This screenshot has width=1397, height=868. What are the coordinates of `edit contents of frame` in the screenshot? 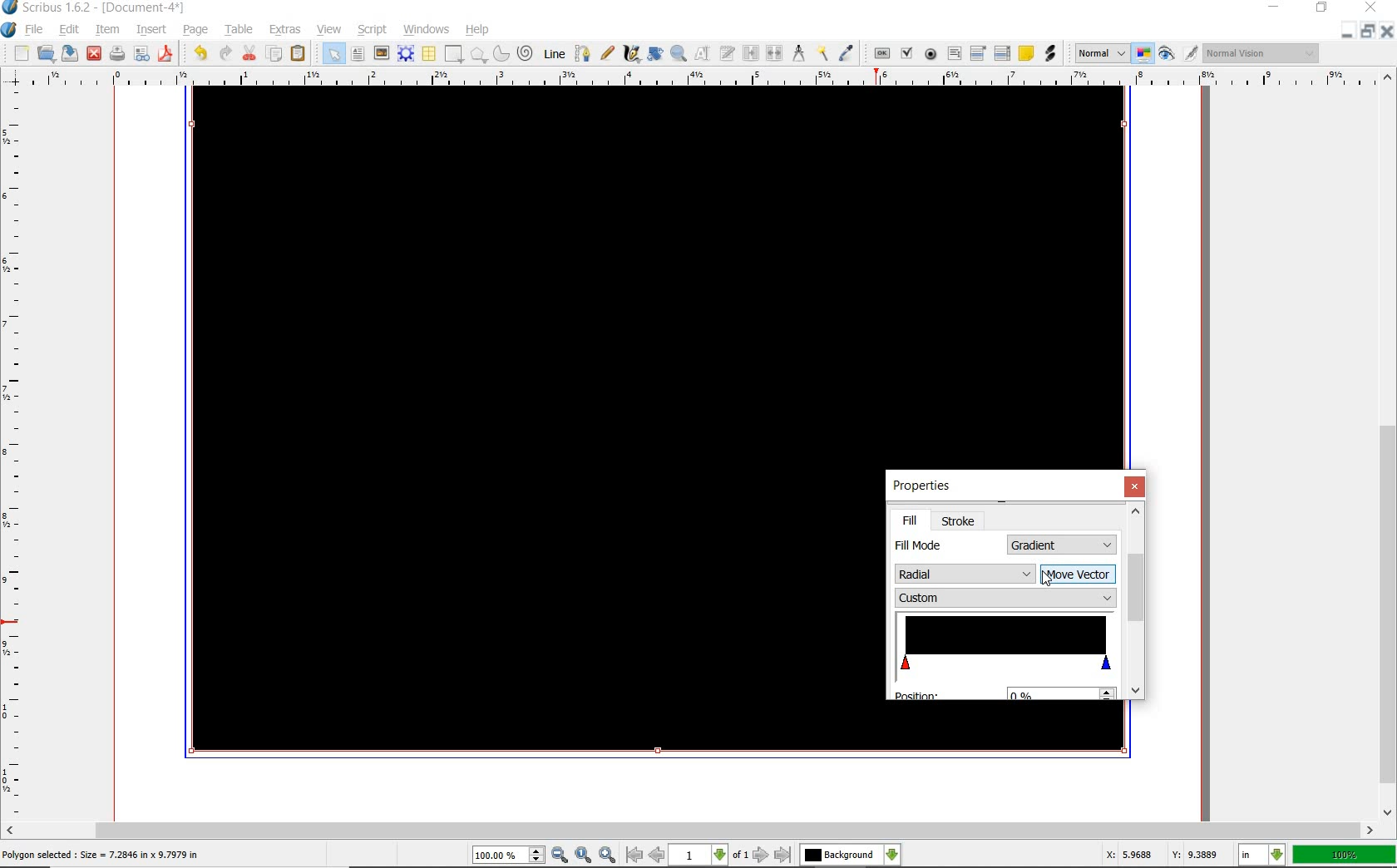 It's located at (701, 53).